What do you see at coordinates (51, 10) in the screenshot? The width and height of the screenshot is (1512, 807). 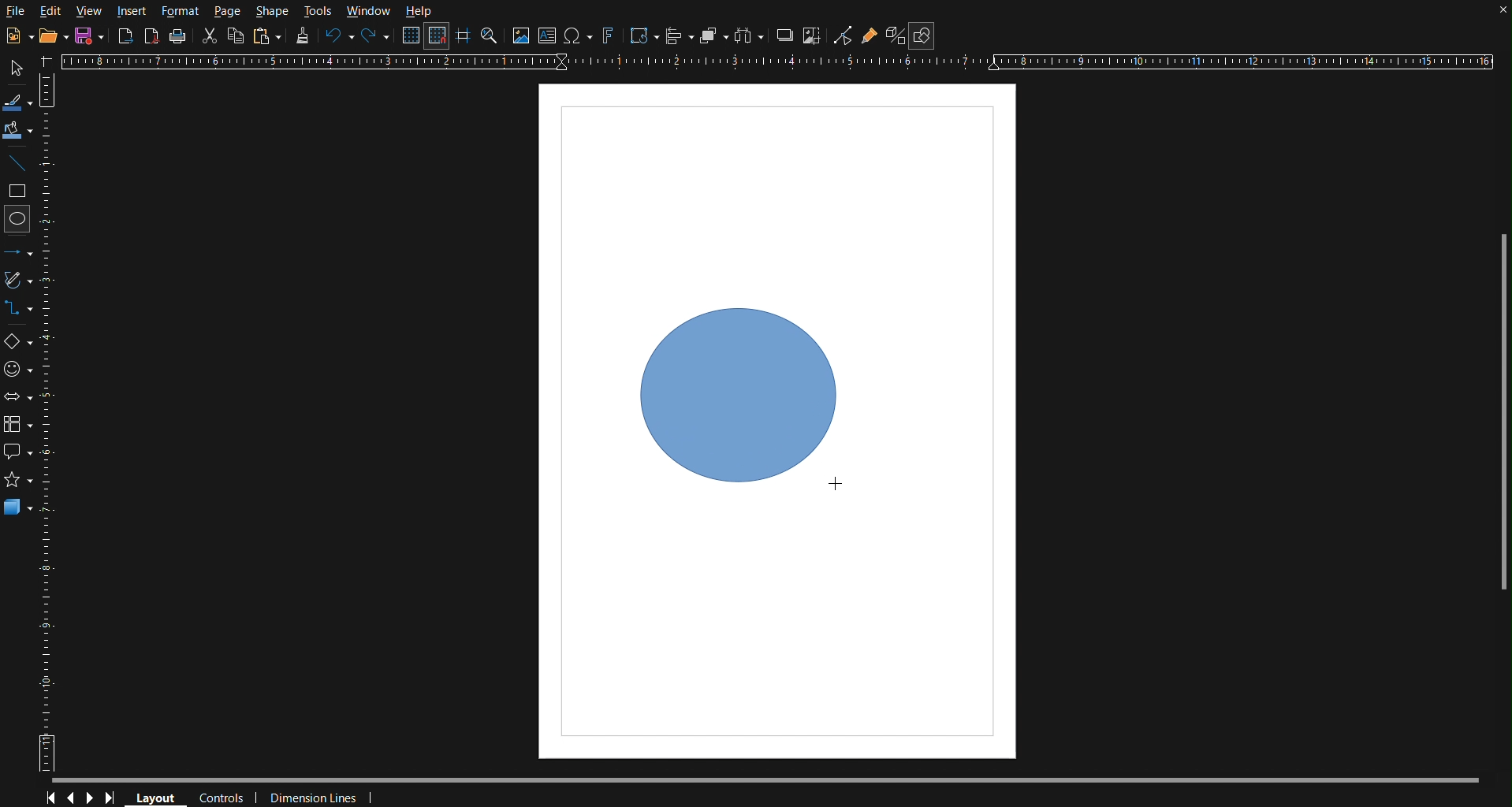 I see `Edit` at bounding box center [51, 10].